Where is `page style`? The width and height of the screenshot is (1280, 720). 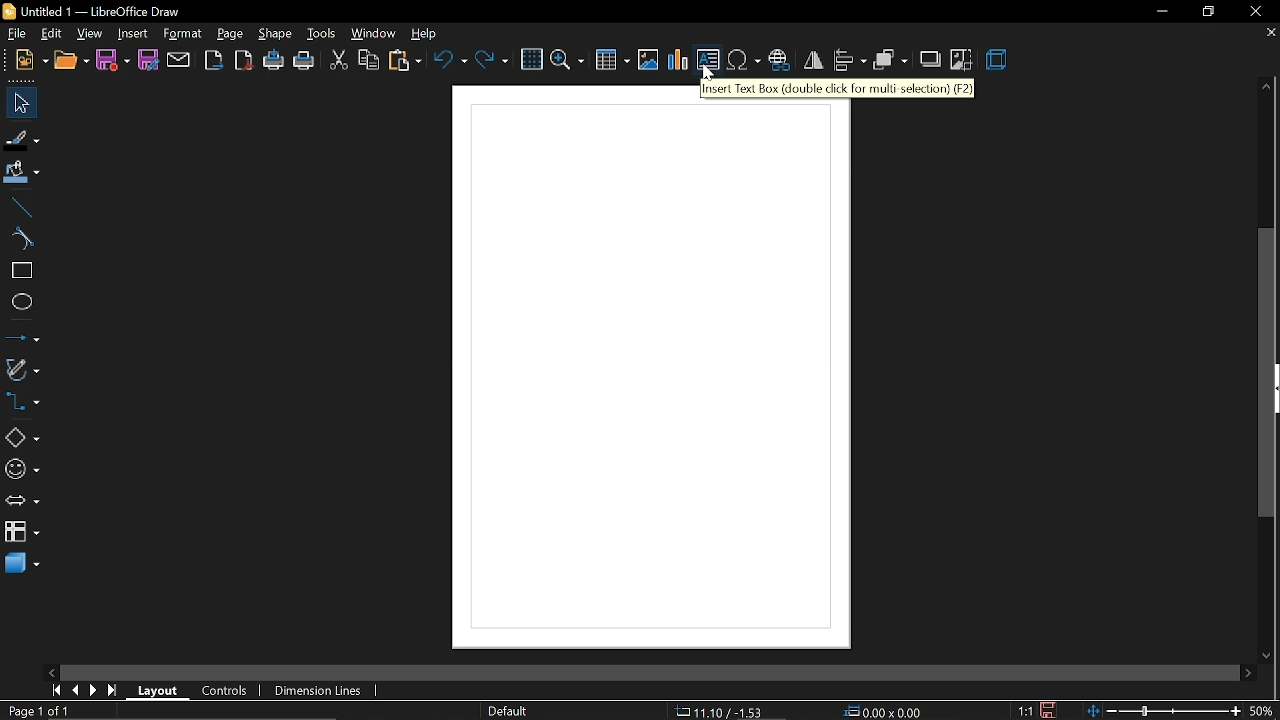 page style is located at coordinates (511, 711).